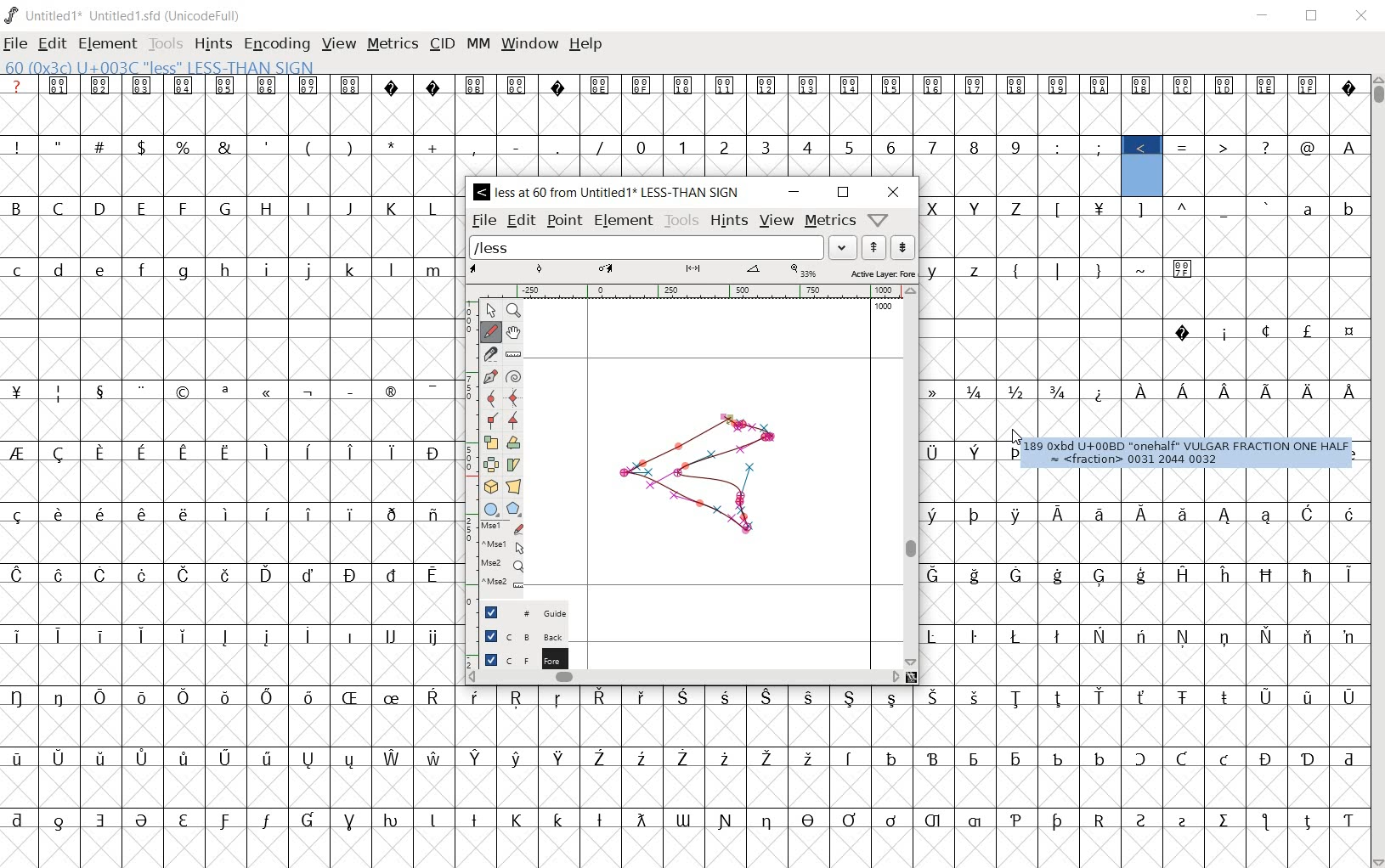  Describe the element at coordinates (229, 300) in the screenshot. I see `empty cells` at that location.